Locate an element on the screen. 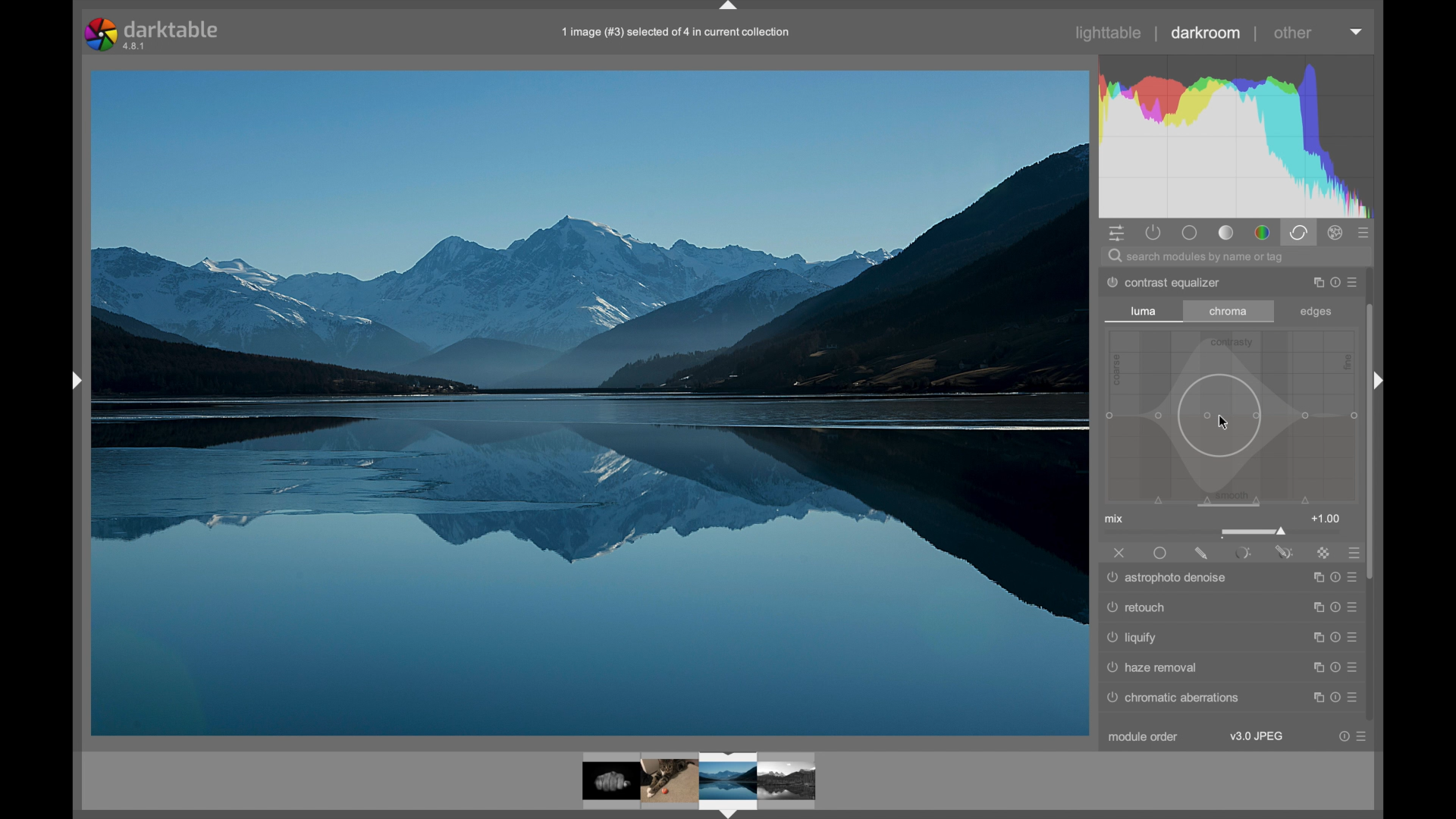 The height and width of the screenshot is (819, 1456). luma is located at coordinates (1144, 312).